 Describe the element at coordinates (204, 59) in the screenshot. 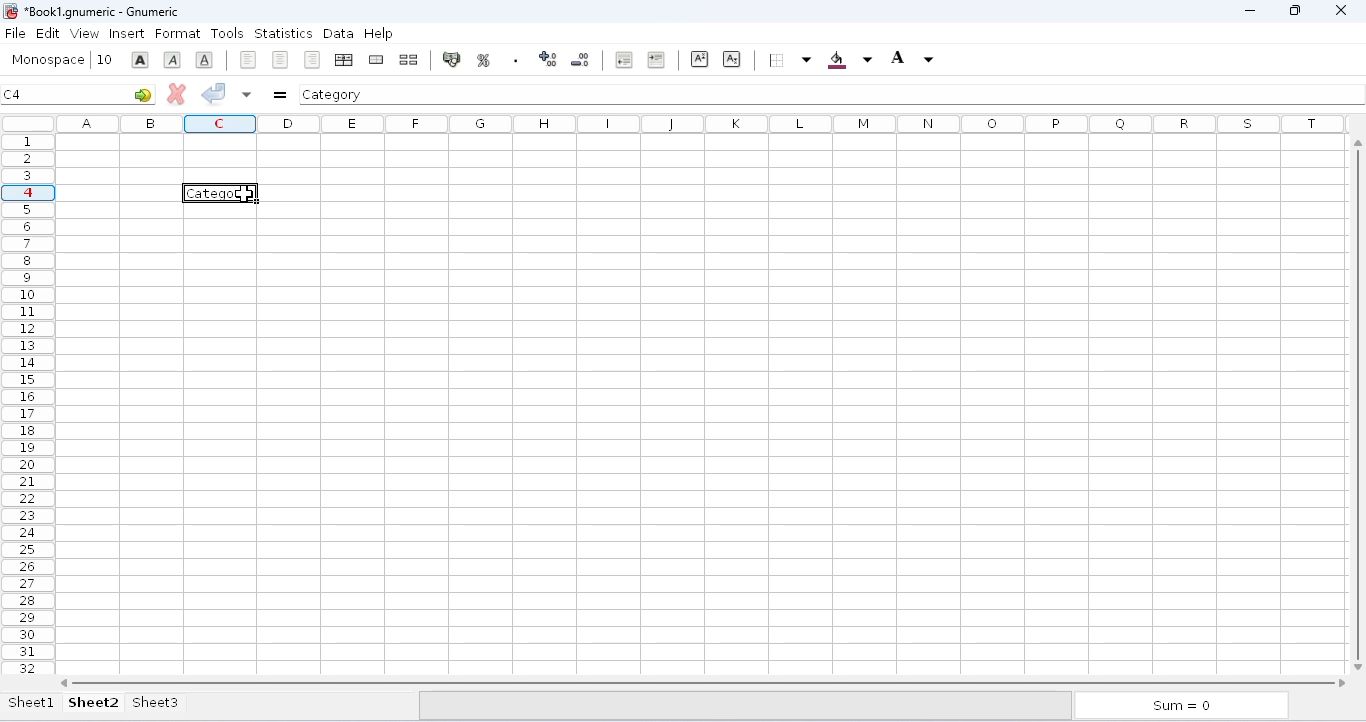

I see `underline` at that location.